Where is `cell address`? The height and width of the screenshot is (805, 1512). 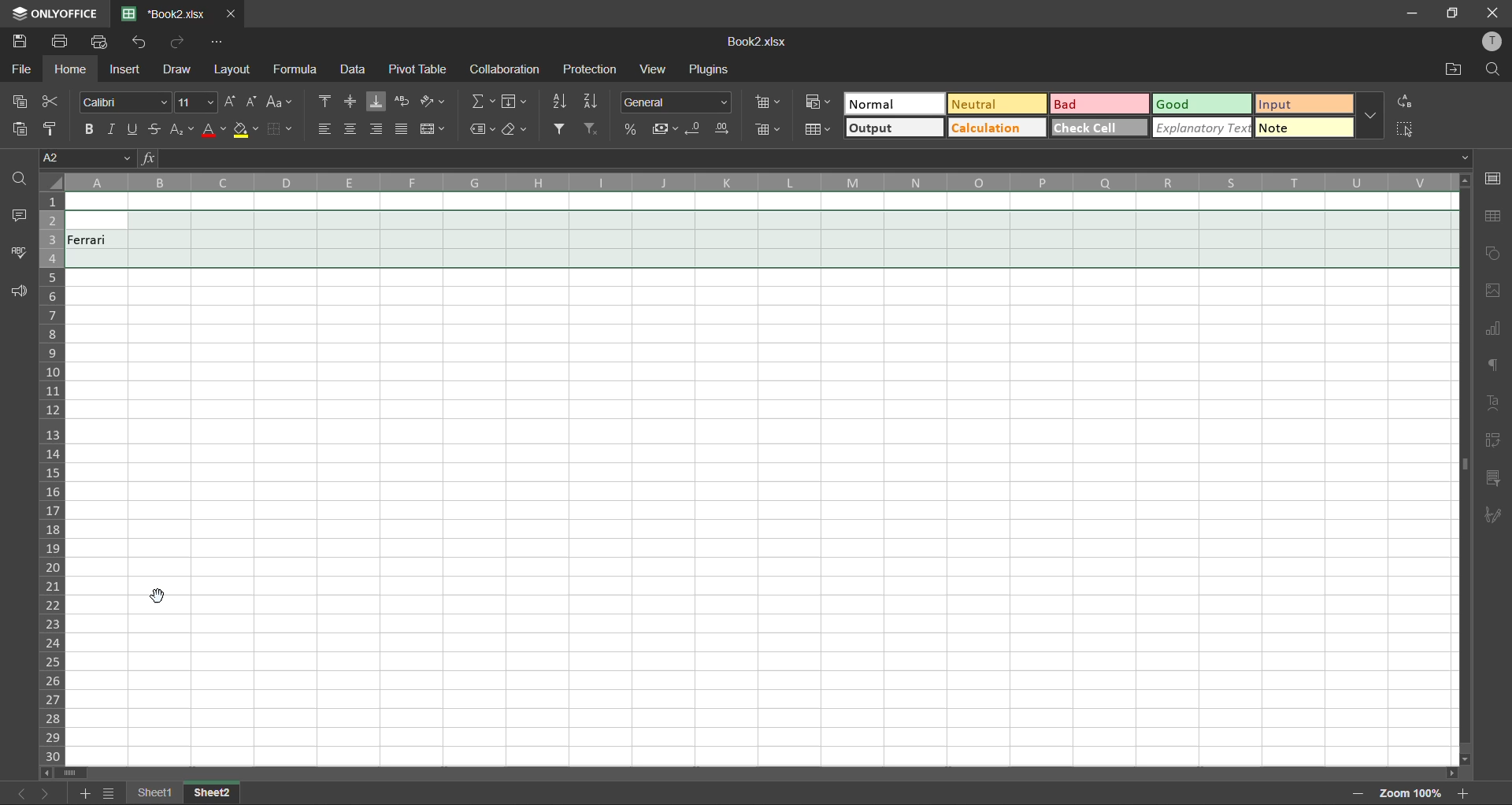 cell address is located at coordinates (88, 159).